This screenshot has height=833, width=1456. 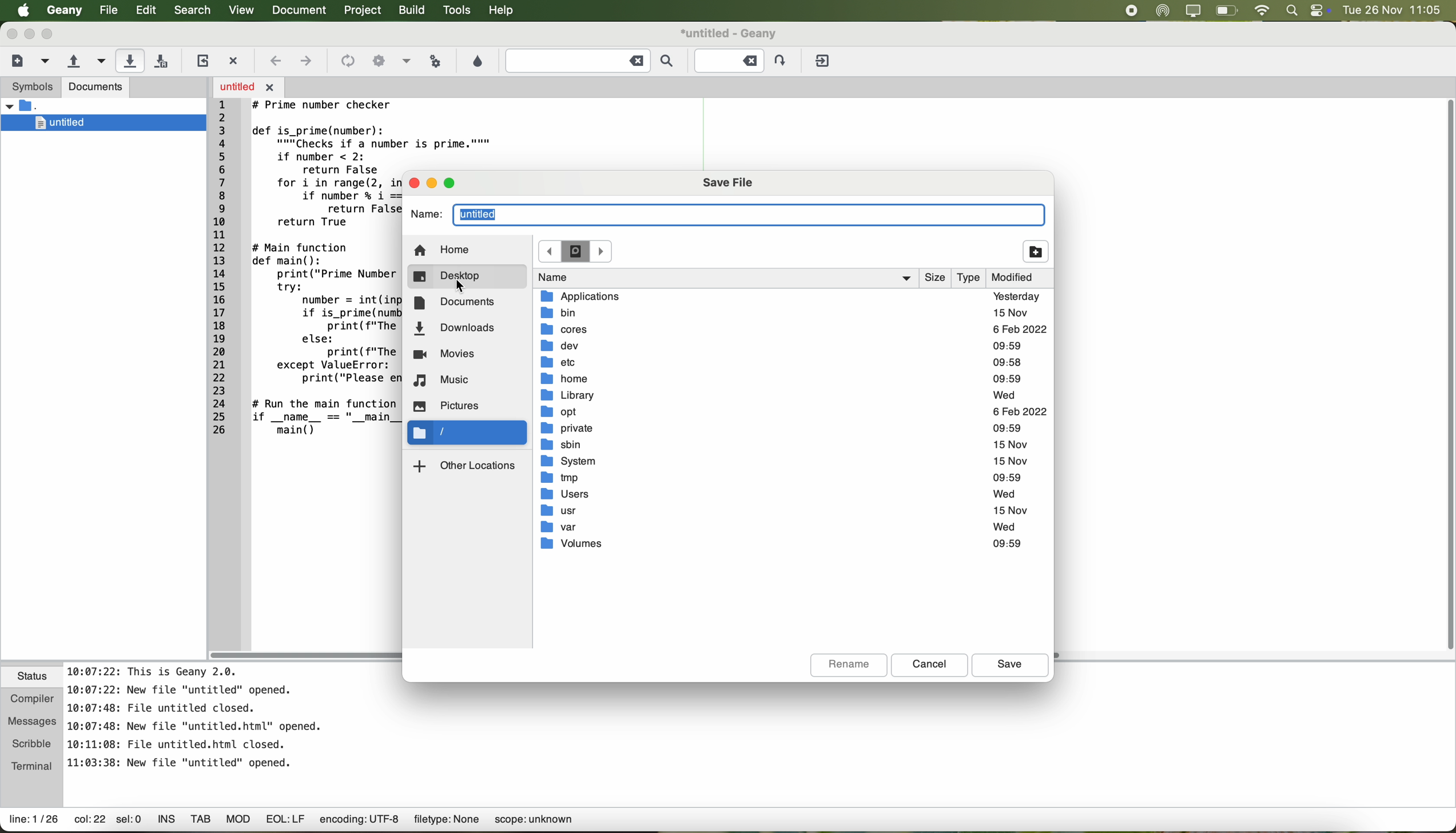 What do you see at coordinates (365, 11) in the screenshot?
I see `project` at bounding box center [365, 11].